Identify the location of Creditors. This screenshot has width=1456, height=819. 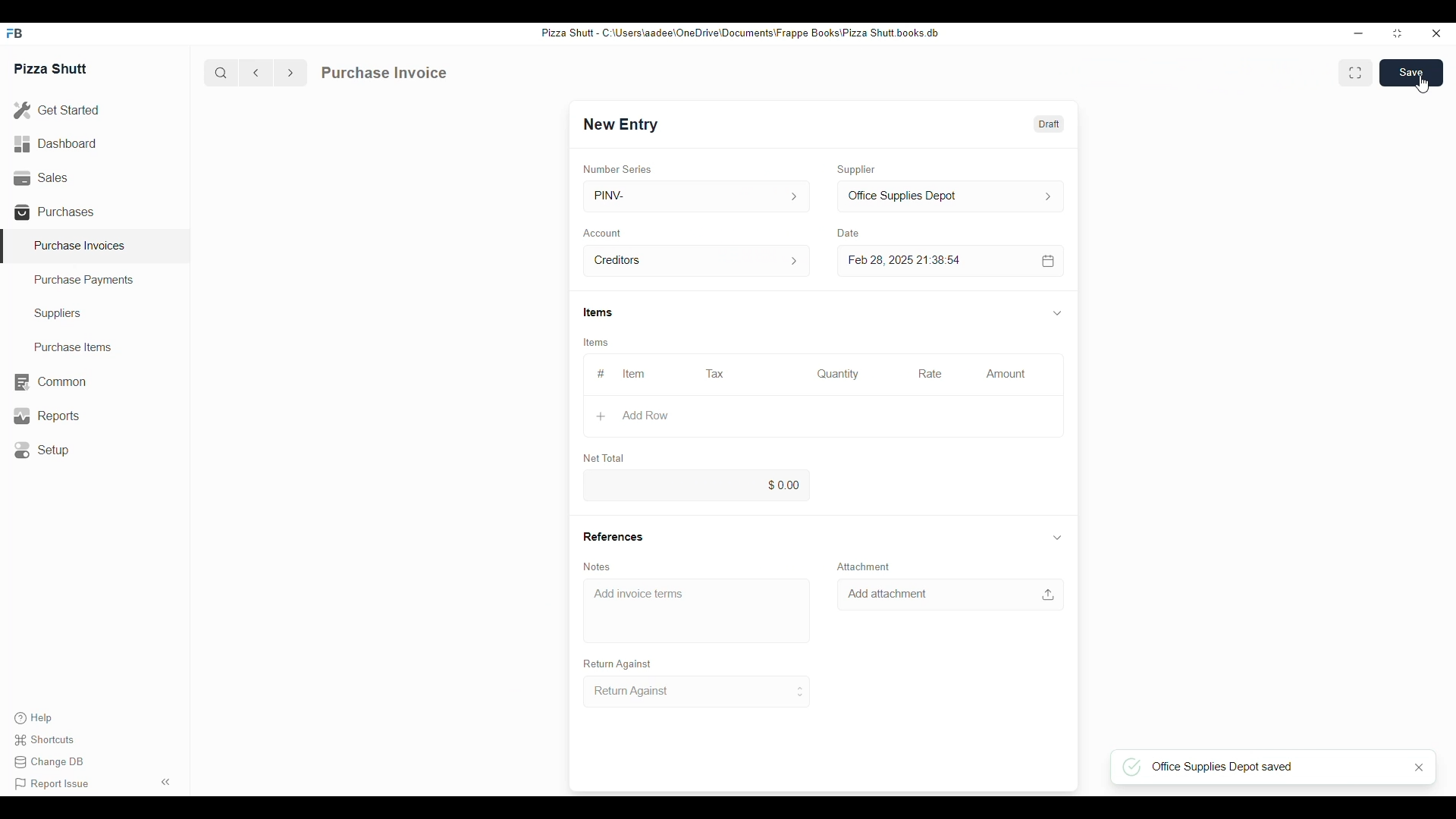
(699, 261).